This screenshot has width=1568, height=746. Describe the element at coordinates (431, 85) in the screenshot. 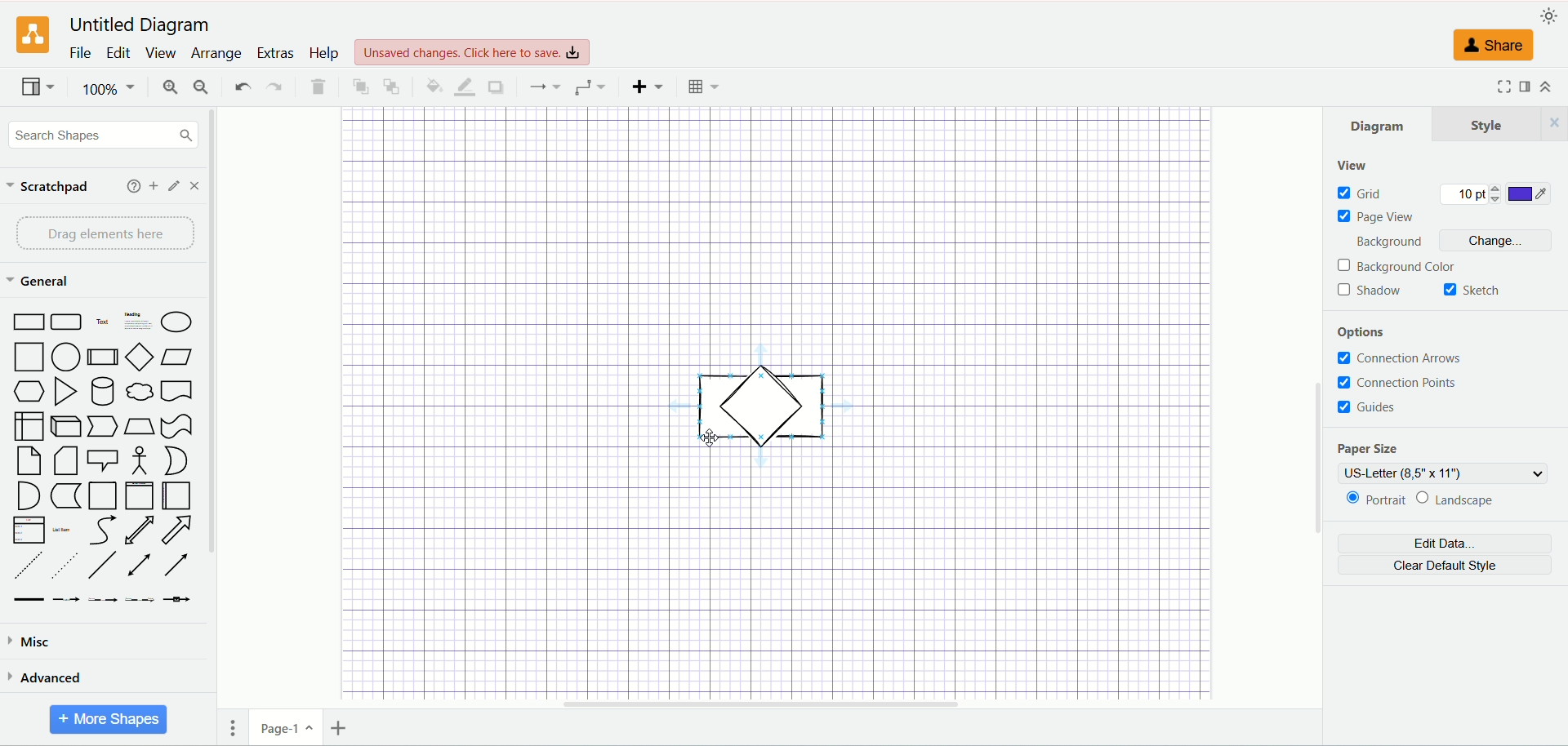

I see `fill color` at that location.